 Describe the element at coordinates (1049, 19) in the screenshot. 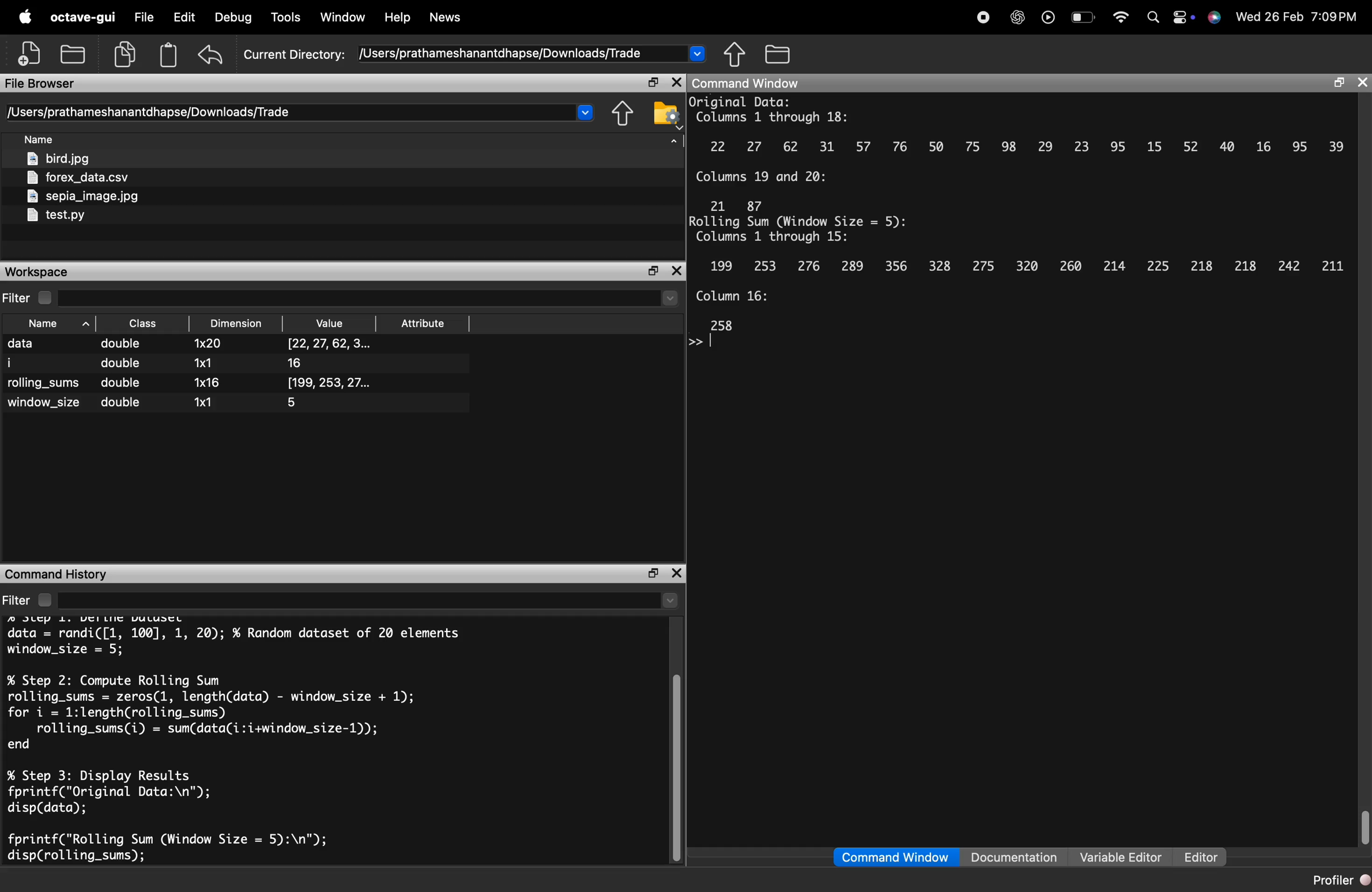

I see `play` at that location.